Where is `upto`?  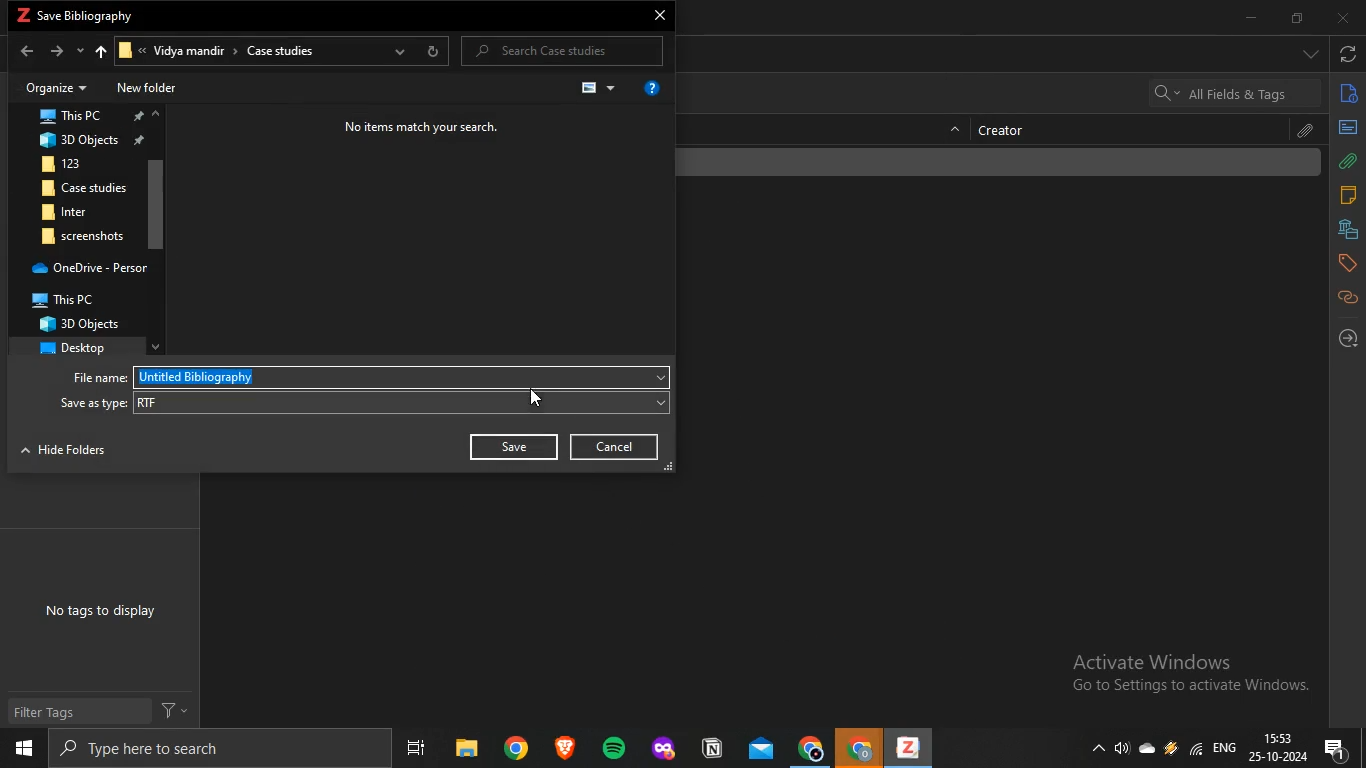
upto is located at coordinates (101, 53).